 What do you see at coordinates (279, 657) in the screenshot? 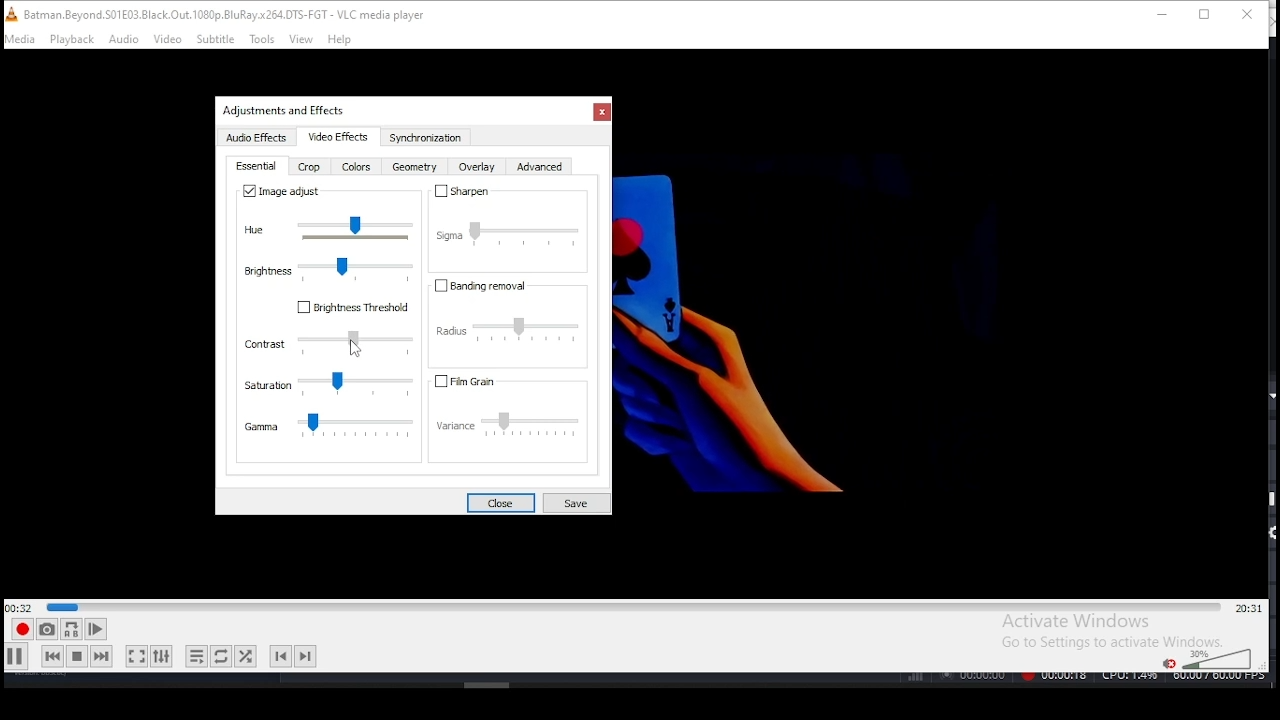
I see `previous chapter` at bounding box center [279, 657].